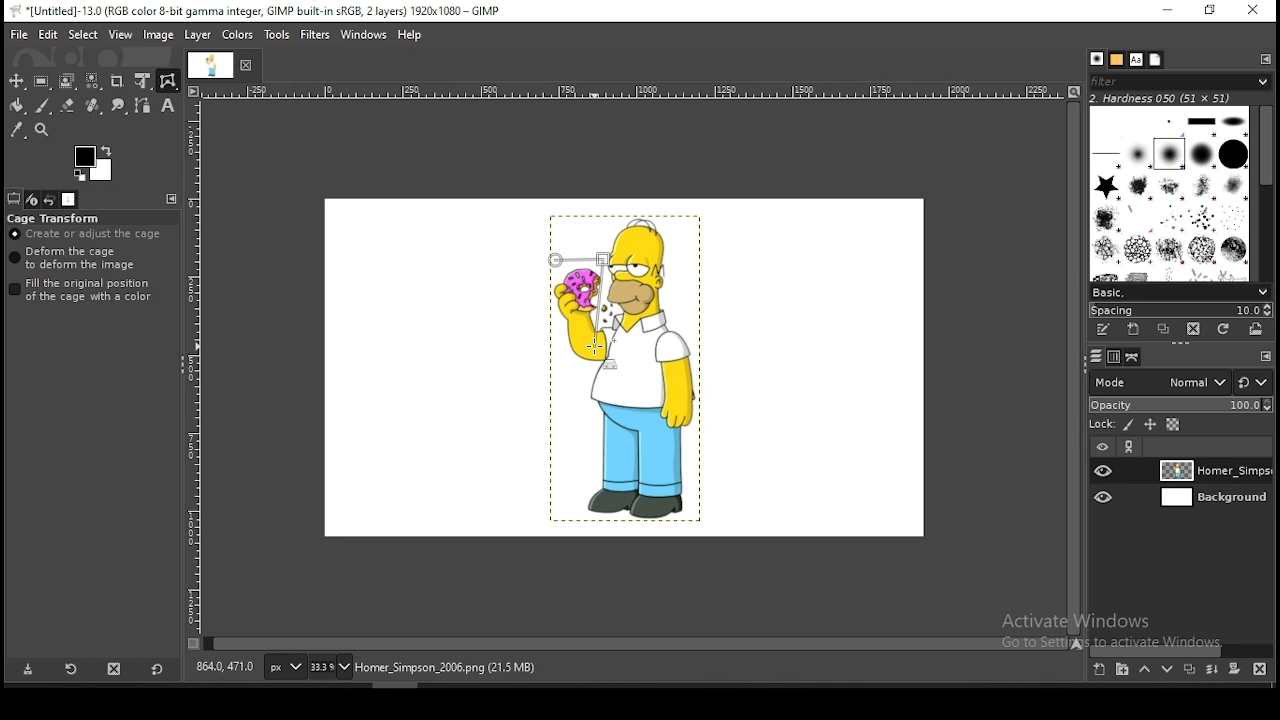  Describe the element at coordinates (55, 218) in the screenshot. I see `cage transform` at that location.